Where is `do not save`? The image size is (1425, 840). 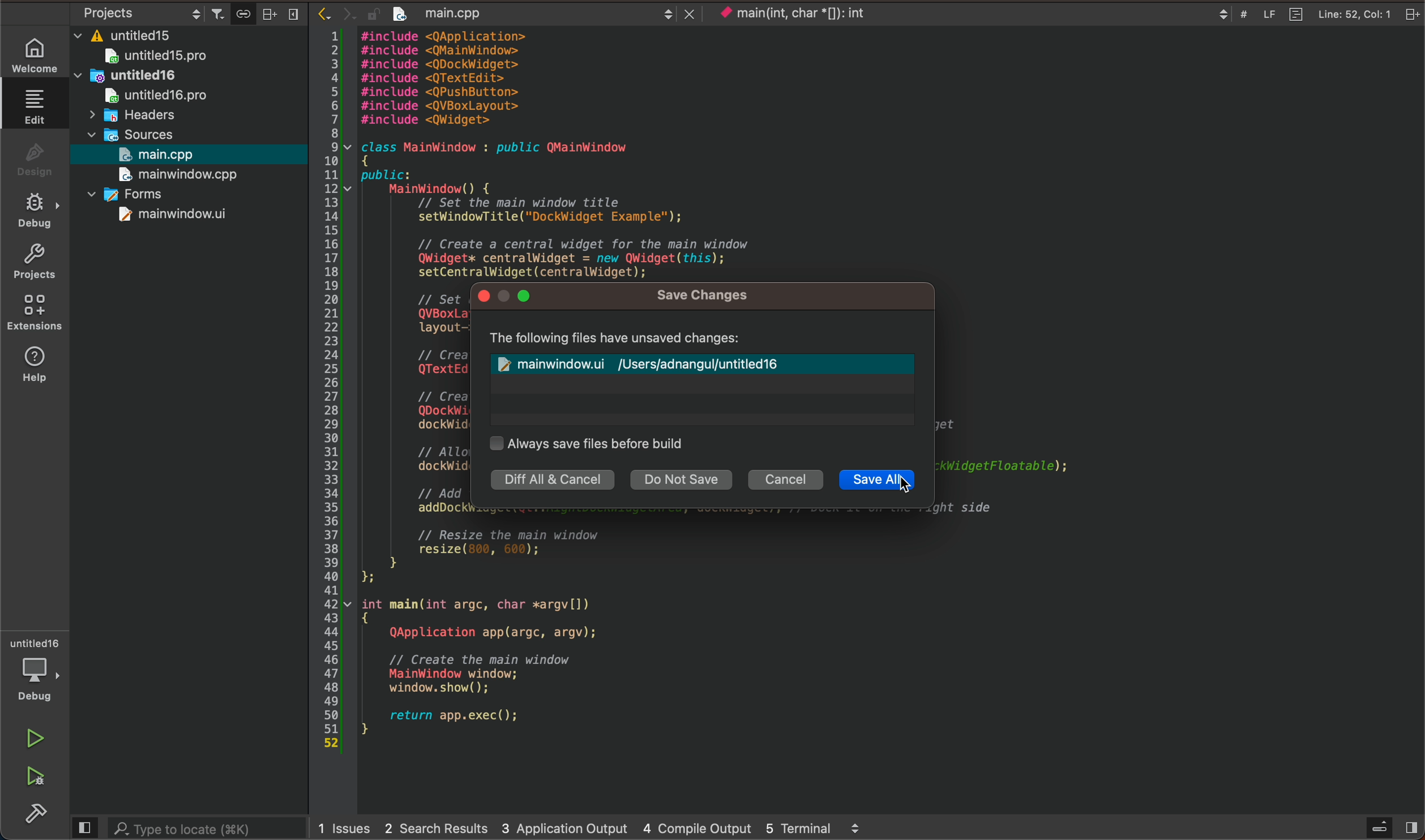
do not save is located at coordinates (681, 480).